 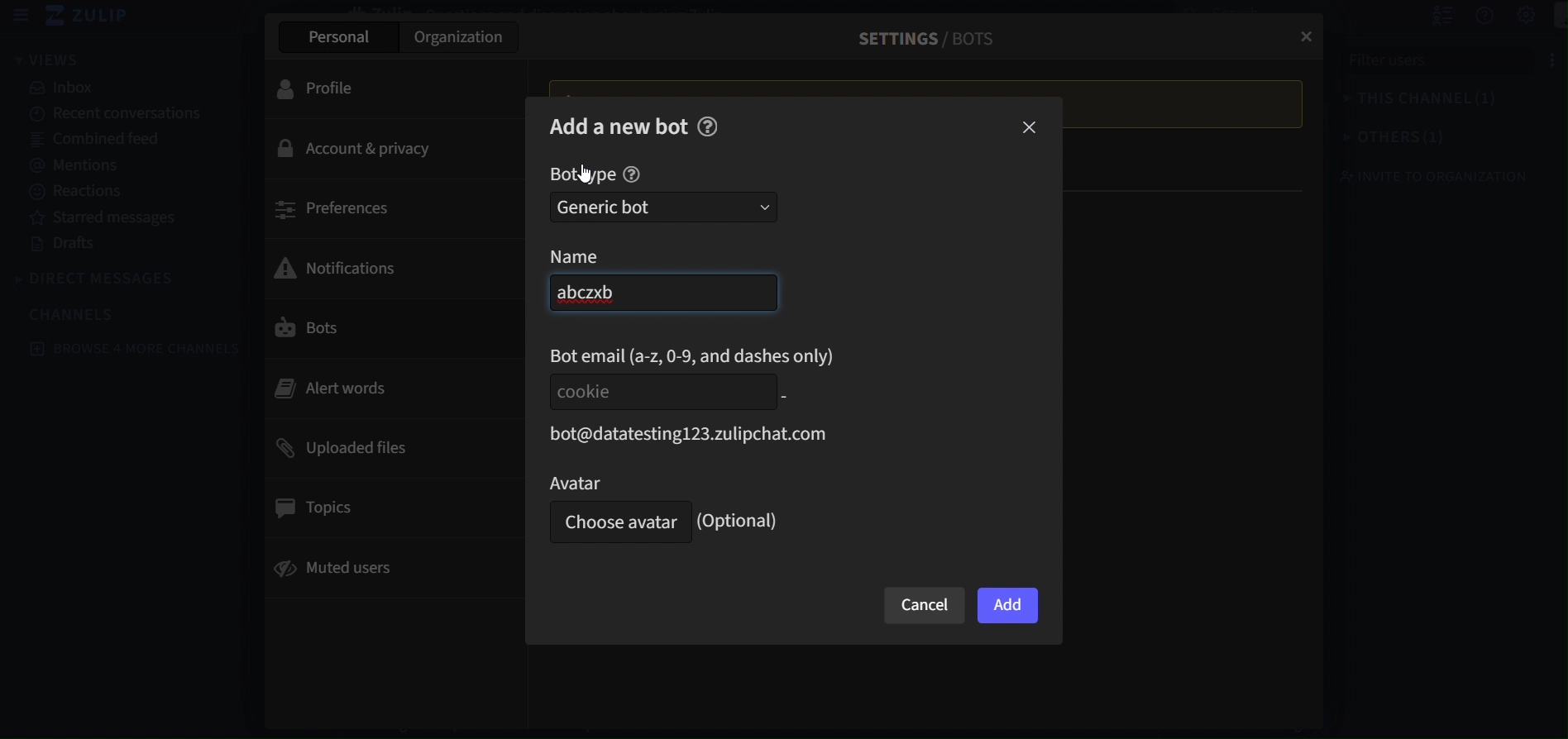 What do you see at coordinates (389, 446) in the screenshot?
I see `uploaded files` at bounding box center [389, 446].